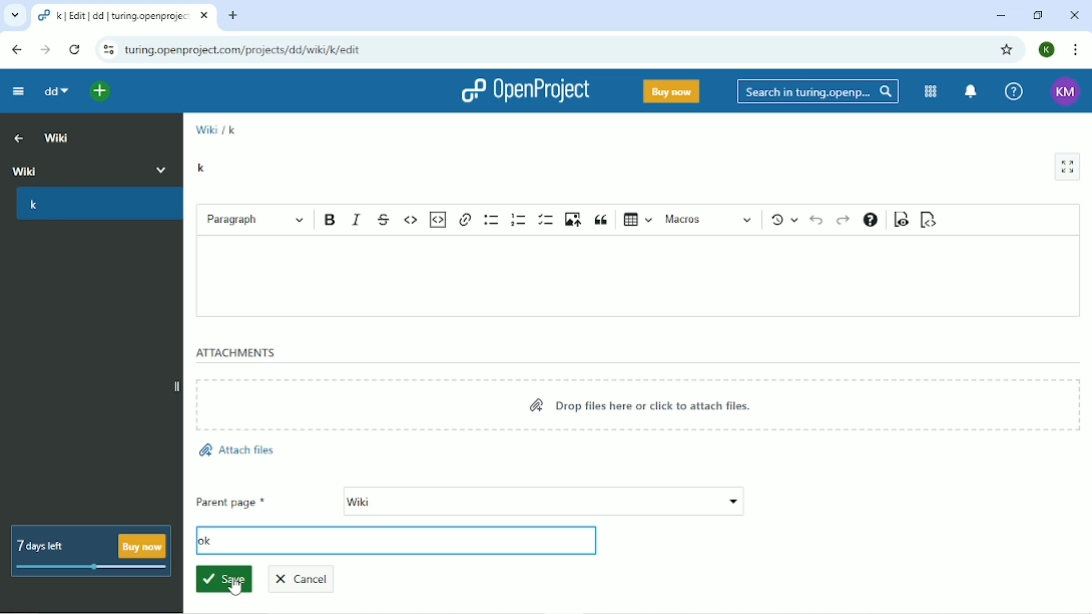 This screenshot has width=1092, height=614. Describe the element at coordinates (16, 137) in the screenshot. I see `Up` at that location.